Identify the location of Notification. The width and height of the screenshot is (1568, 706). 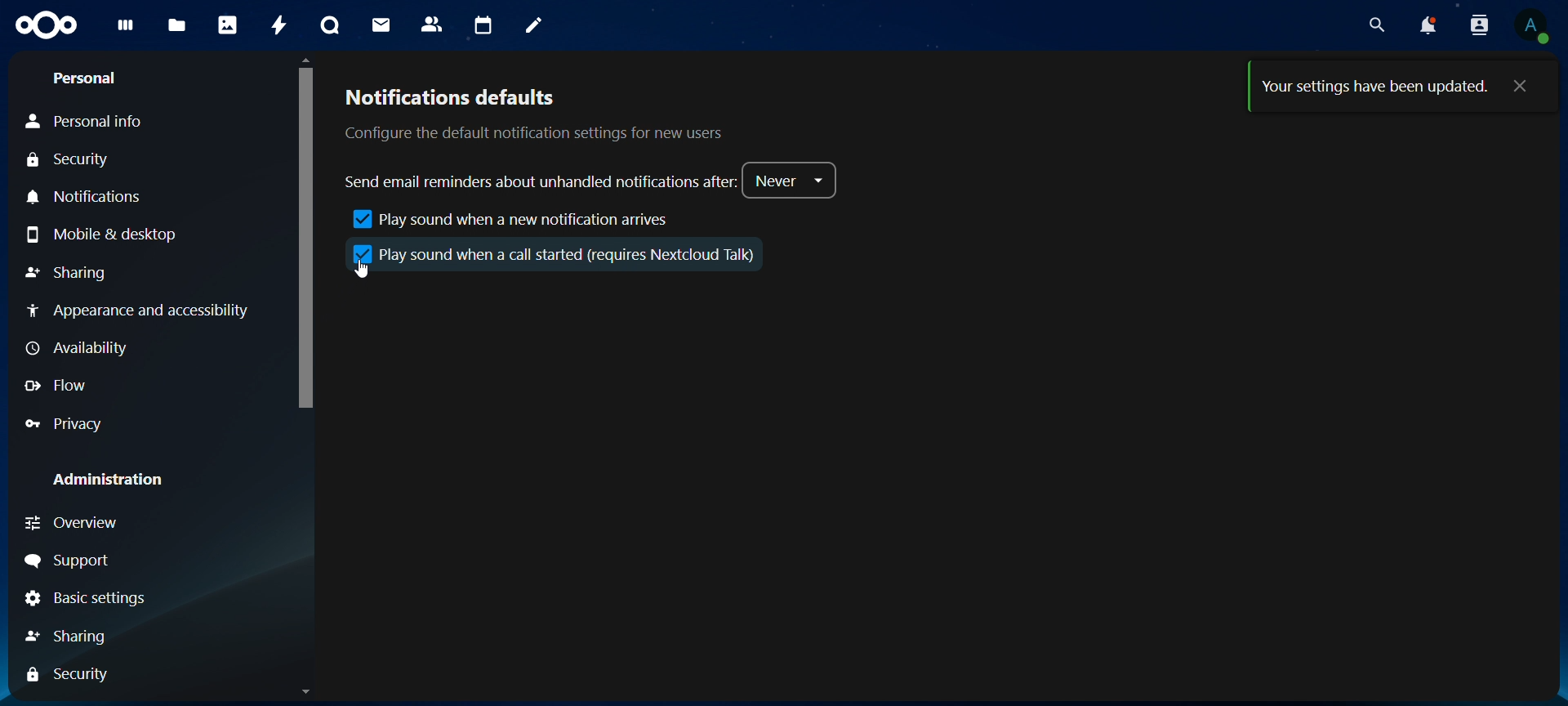
(92, 197).